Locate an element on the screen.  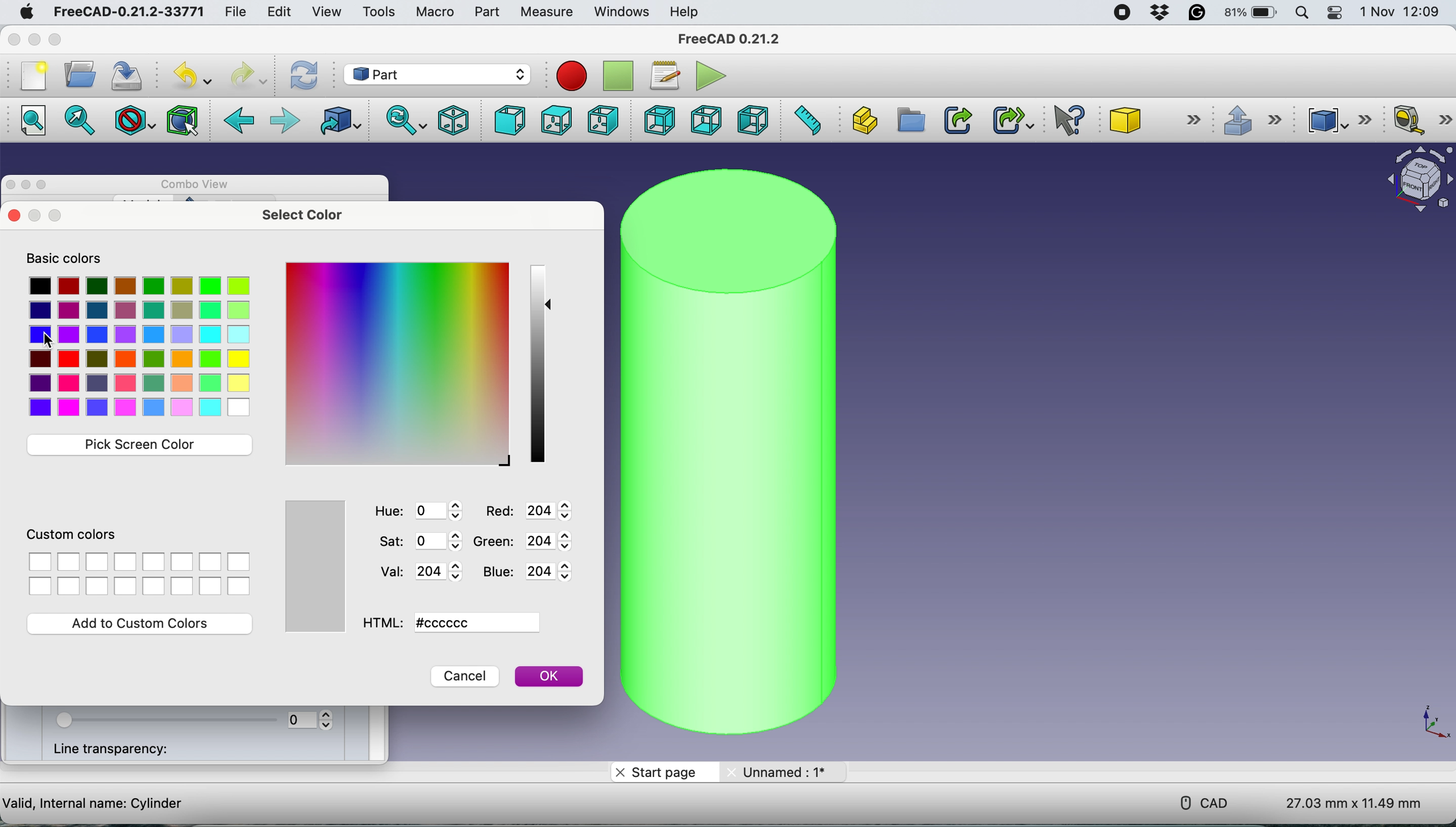
Select color is located at coordinates (140, 348).